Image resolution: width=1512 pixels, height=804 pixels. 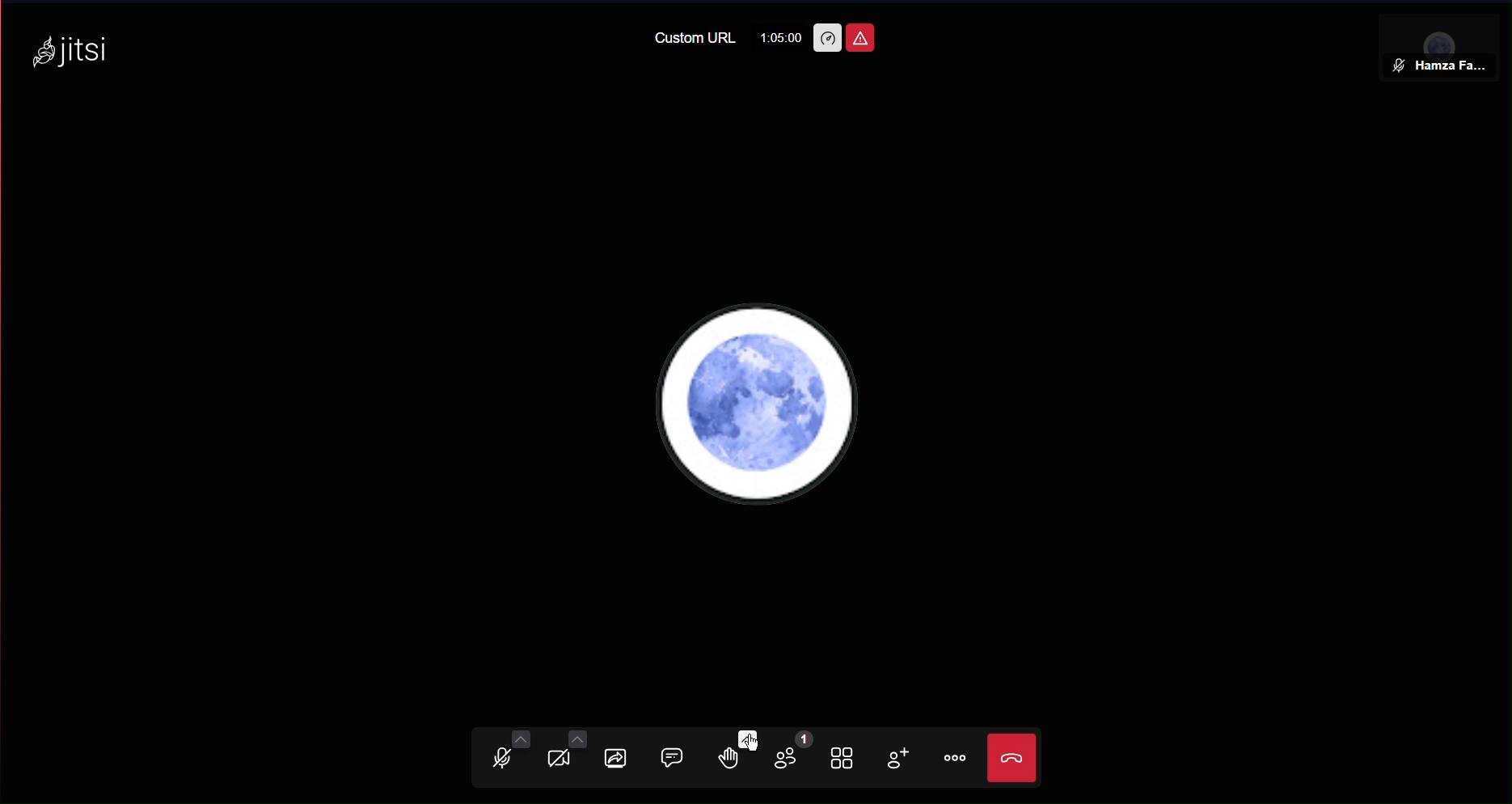 I want to click on 1:05:00, so click(x=780, y=37).